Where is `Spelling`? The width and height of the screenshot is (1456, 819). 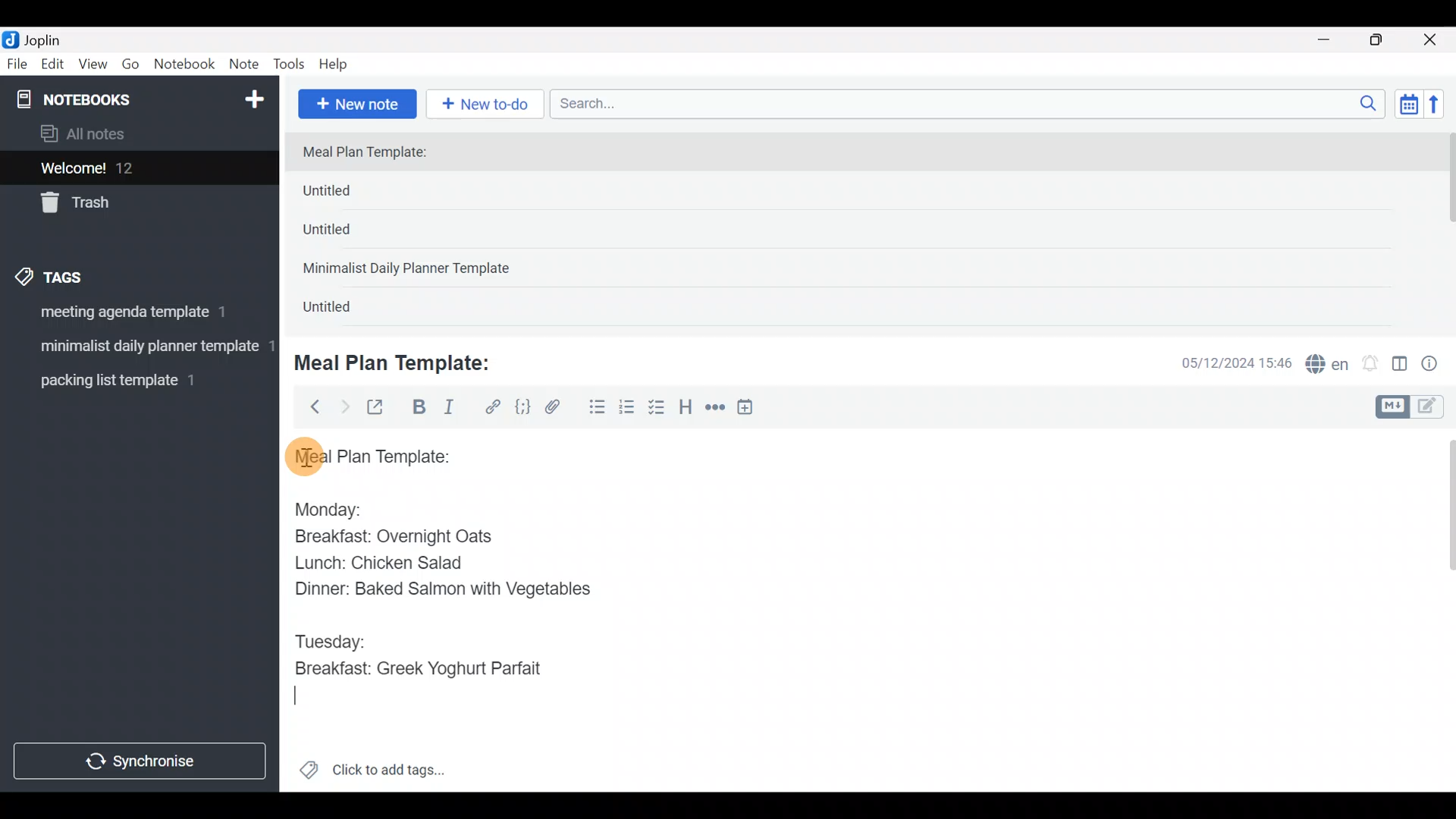
Spelling is located at coordinates (1328, 366).